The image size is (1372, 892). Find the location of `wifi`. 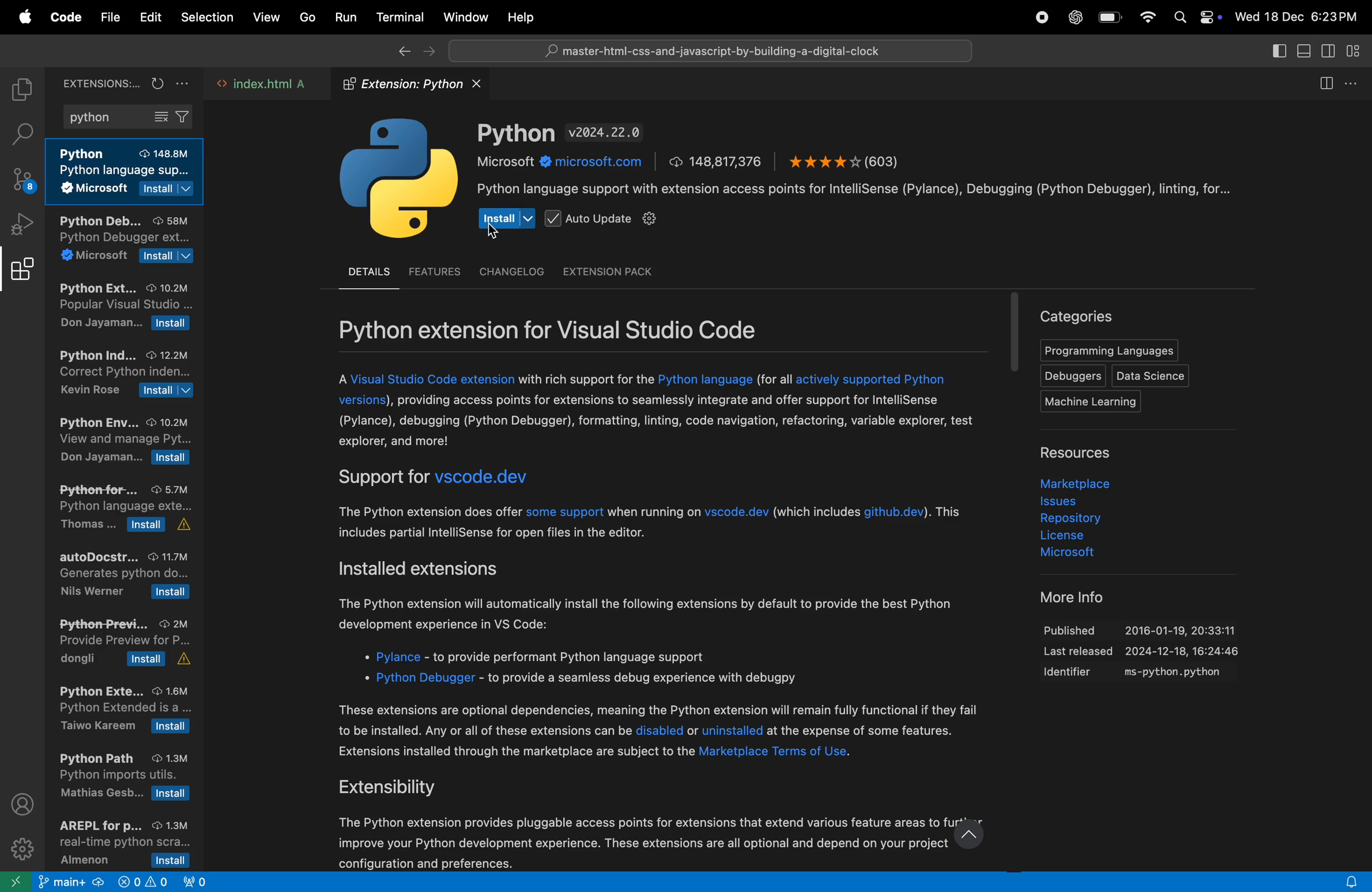

wifi is located at coordinates (1147, 18).